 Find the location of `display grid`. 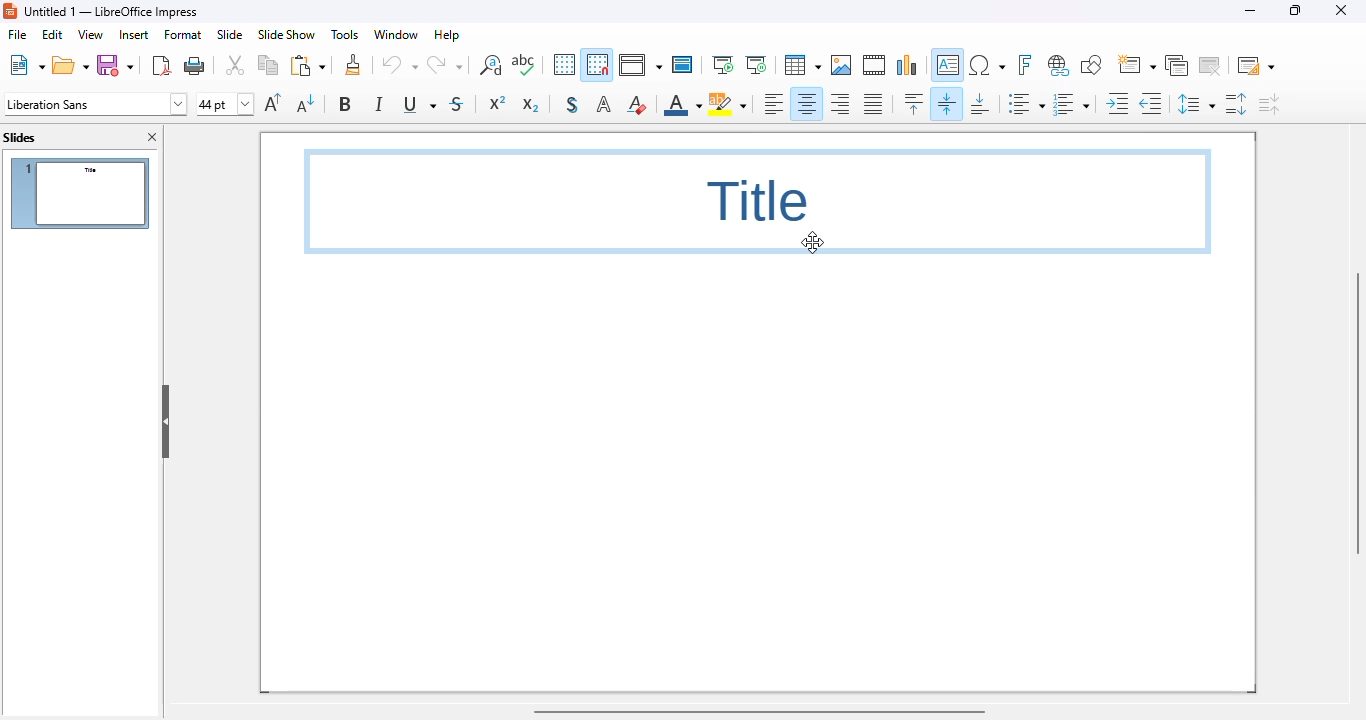

display grid is located at coordinates (564, 64).